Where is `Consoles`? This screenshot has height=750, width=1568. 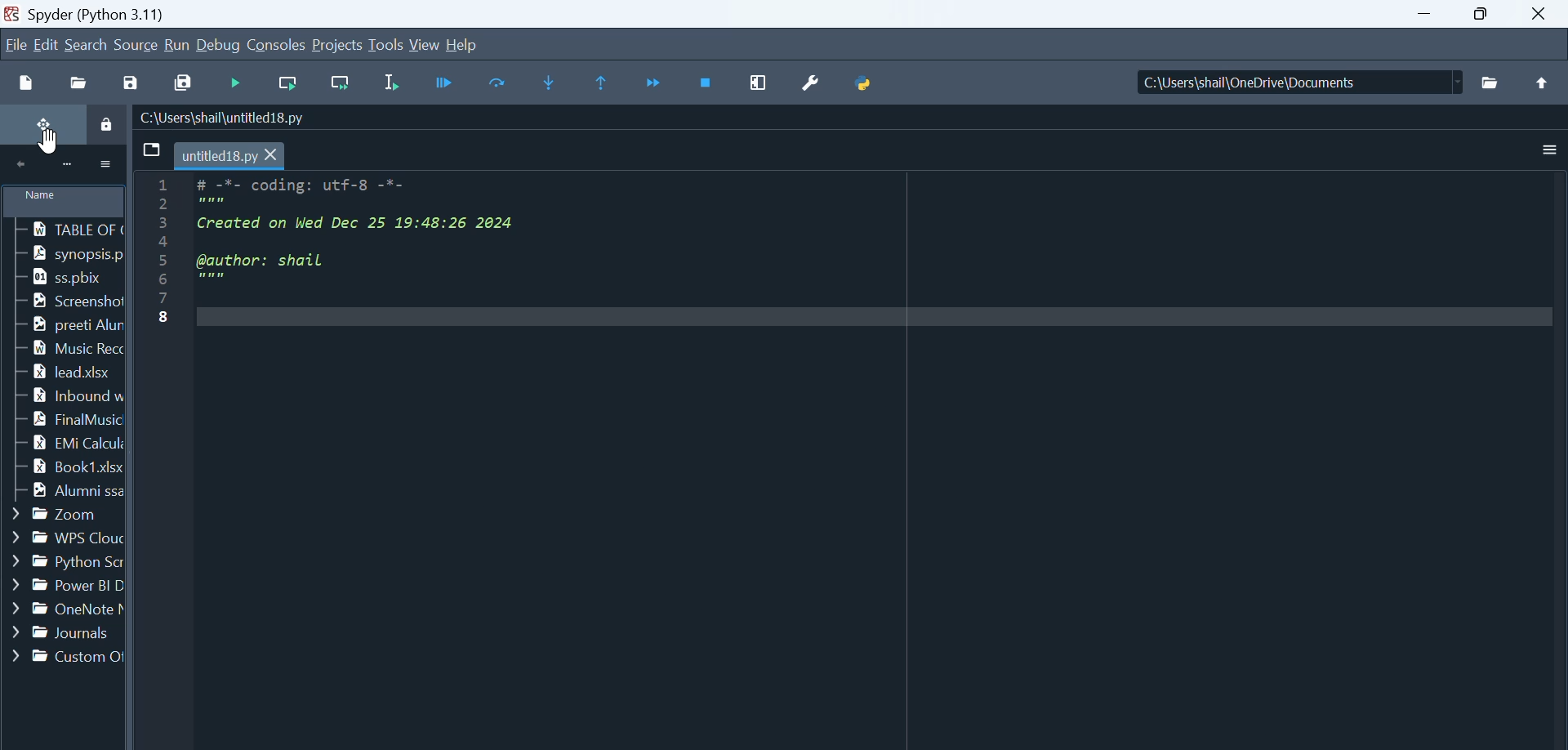 Consoles is located at coordinates (278, 44).